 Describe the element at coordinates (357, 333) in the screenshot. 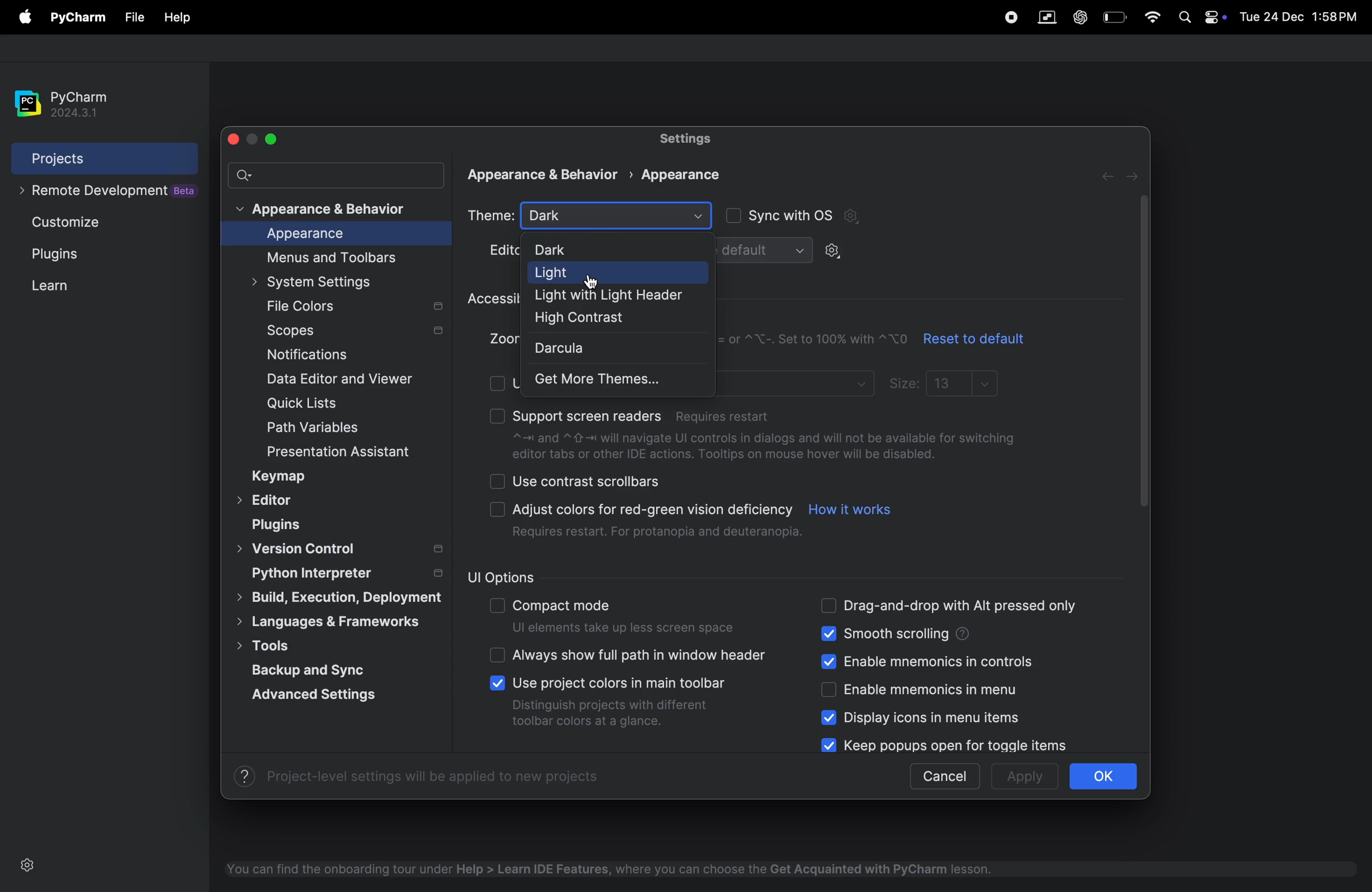

I see `scopes` at that location.